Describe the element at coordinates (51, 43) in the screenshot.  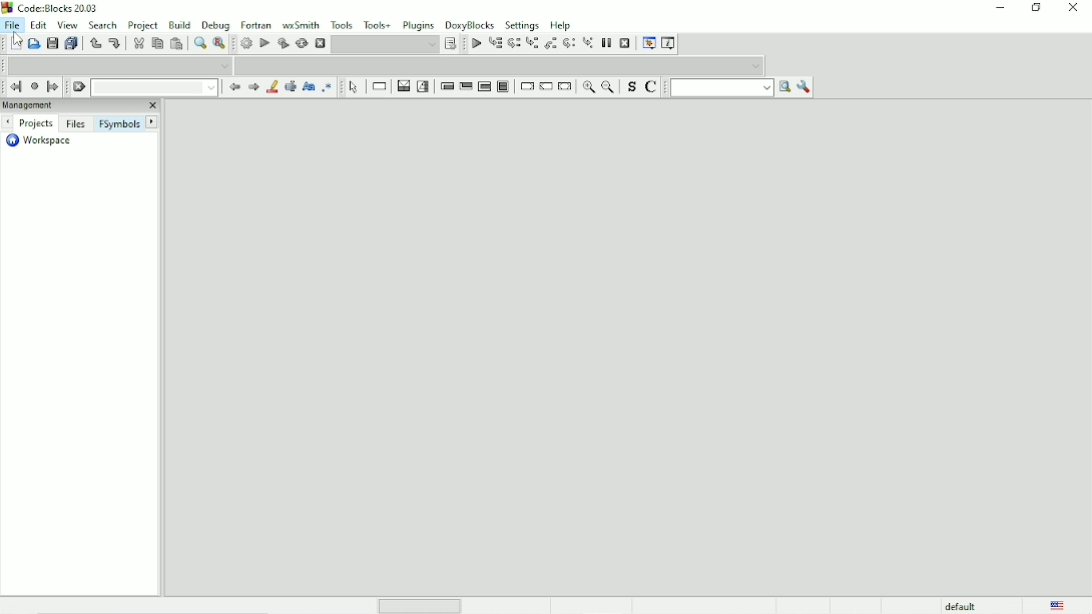
I see `Save` at that location.